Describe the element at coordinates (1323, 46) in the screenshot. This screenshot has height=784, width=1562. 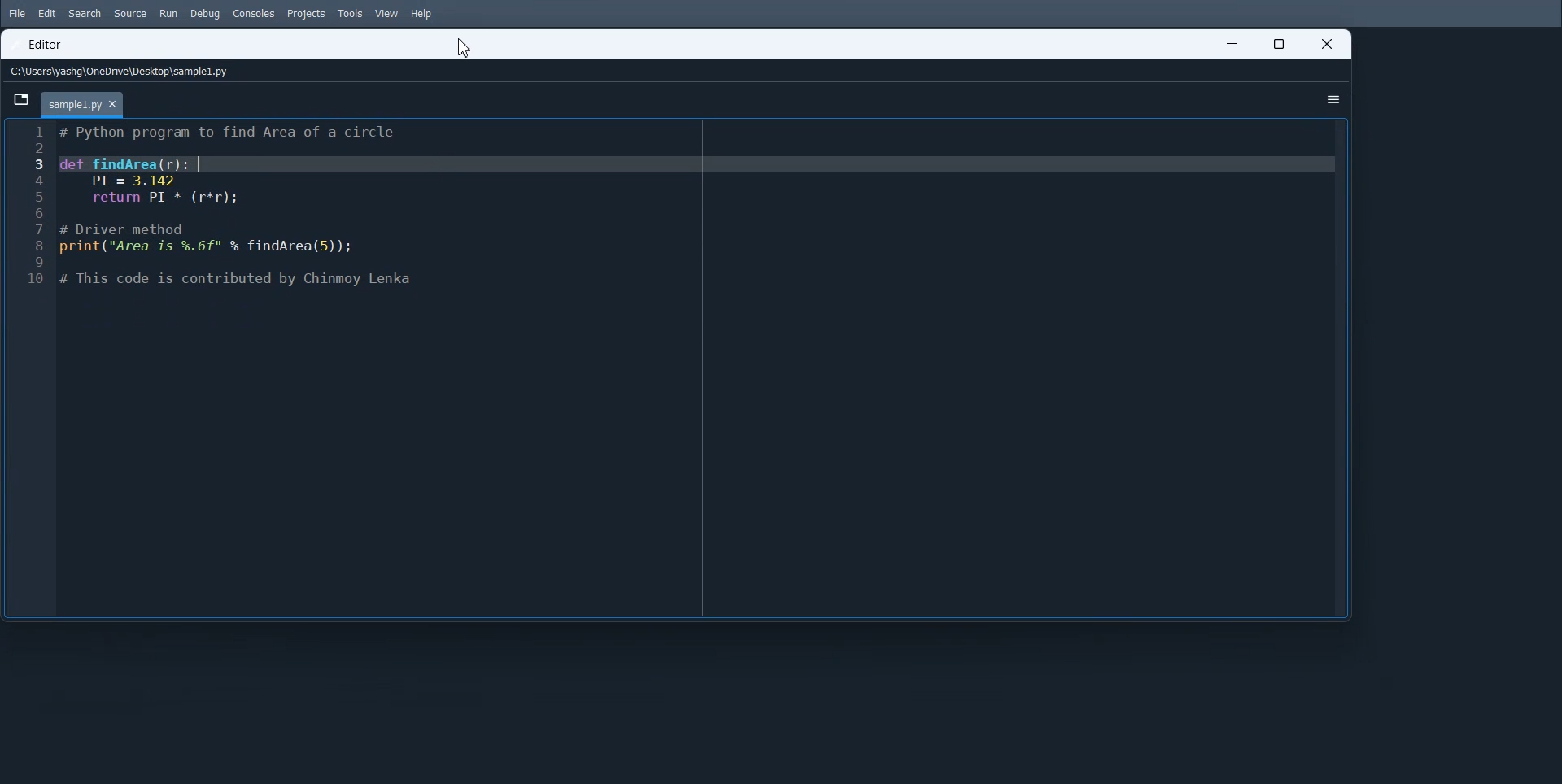
I see `Close` at that location.